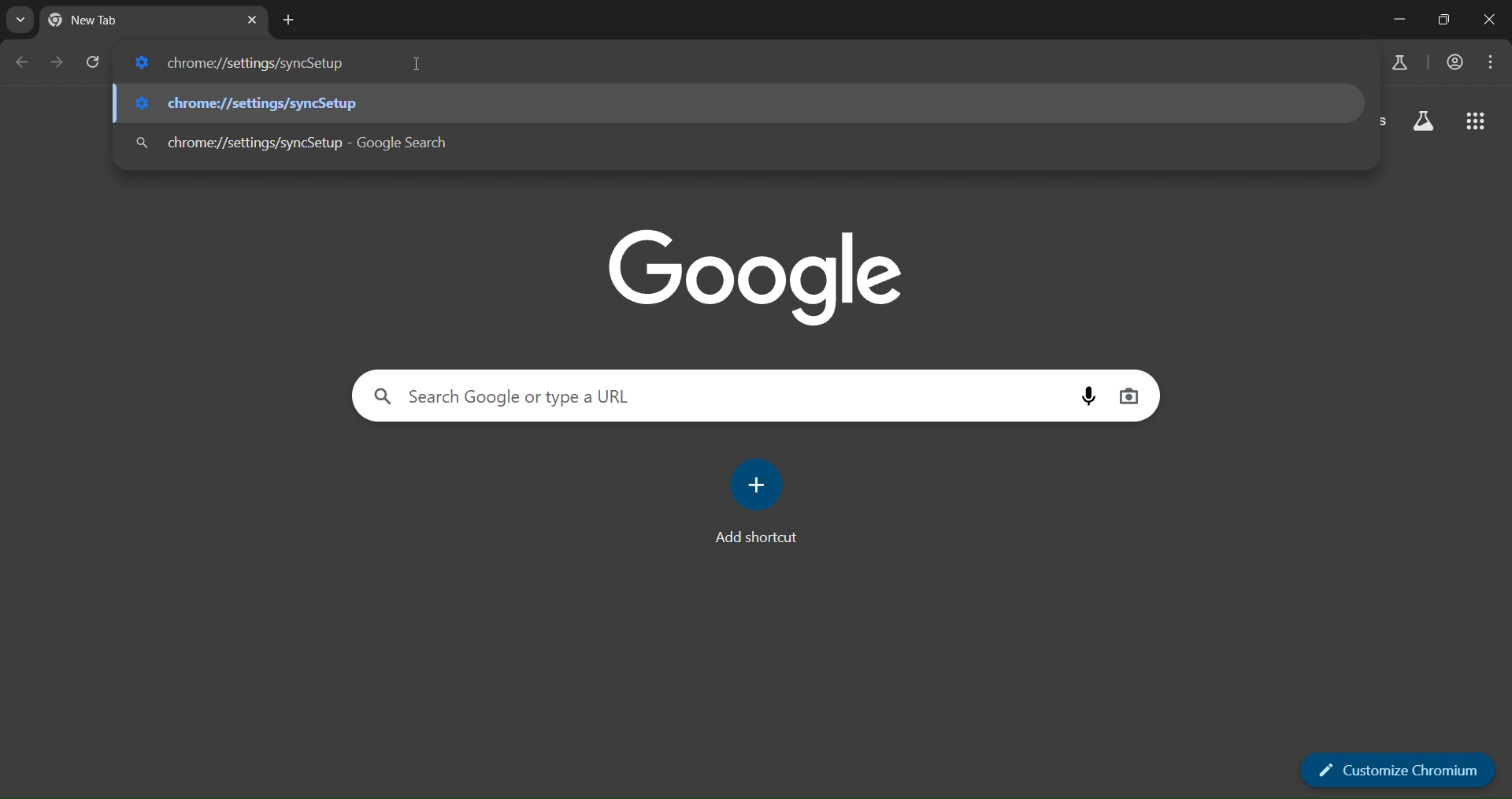 Image resolution: width=1512 pixels, height=799 pixels. I want to click on reload page, so click(98, 63).